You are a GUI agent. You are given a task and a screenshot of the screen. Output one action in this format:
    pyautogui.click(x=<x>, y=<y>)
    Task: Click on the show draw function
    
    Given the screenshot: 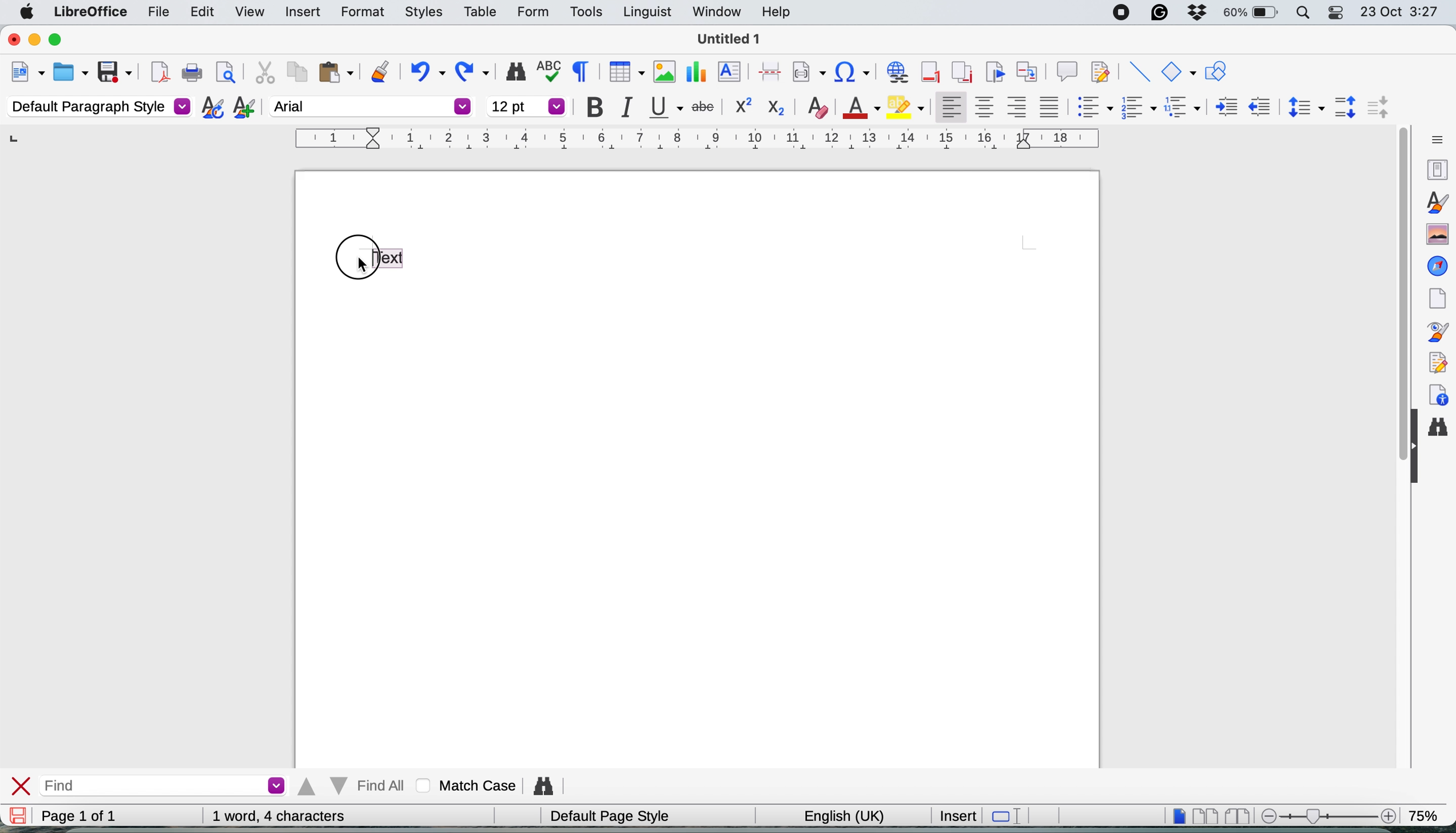 What is the action you would take?
    pyautogui.click(x=1215, y=72)
    